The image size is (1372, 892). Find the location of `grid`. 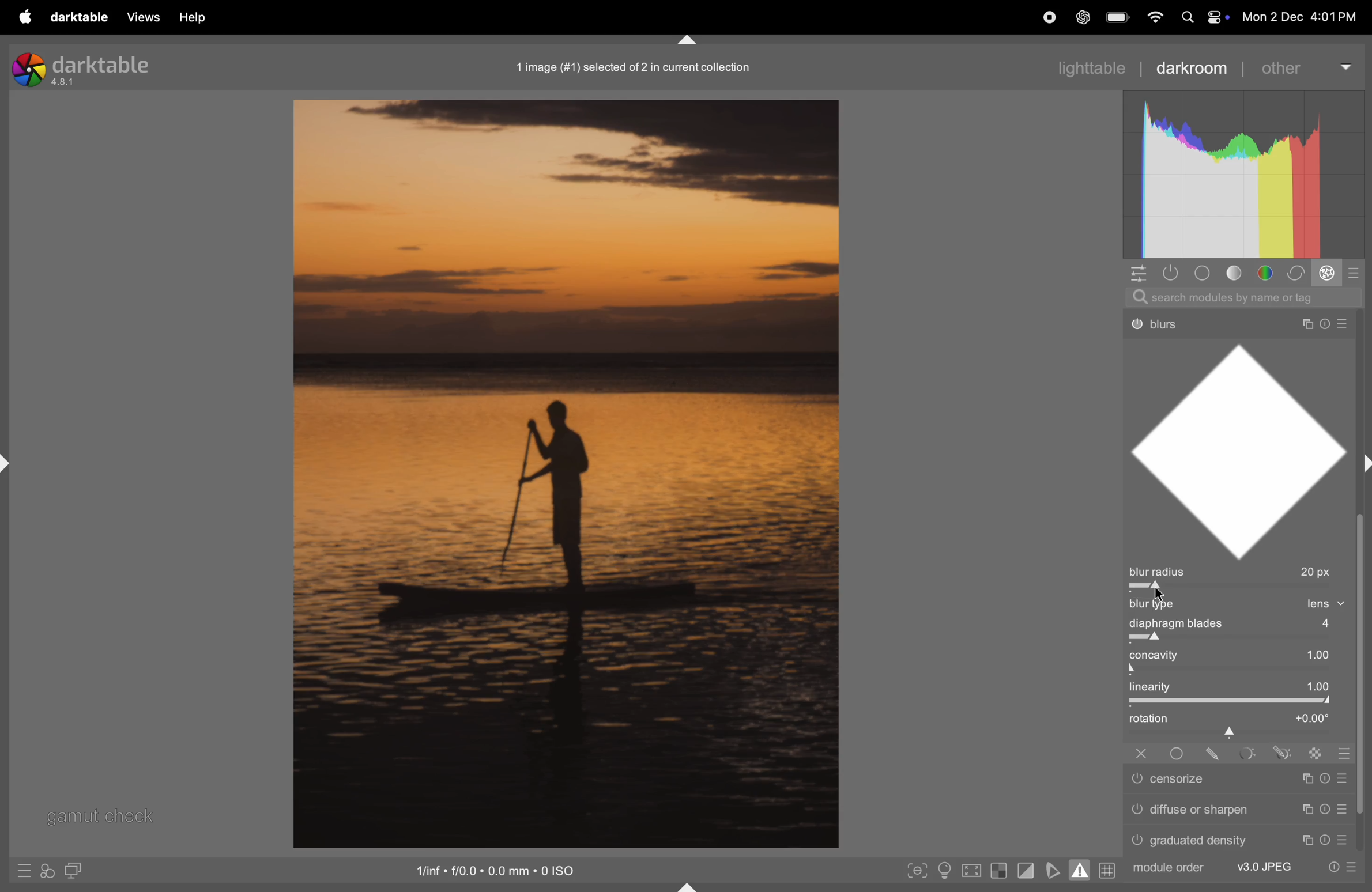

grid is located at coordinates (1108, 870).